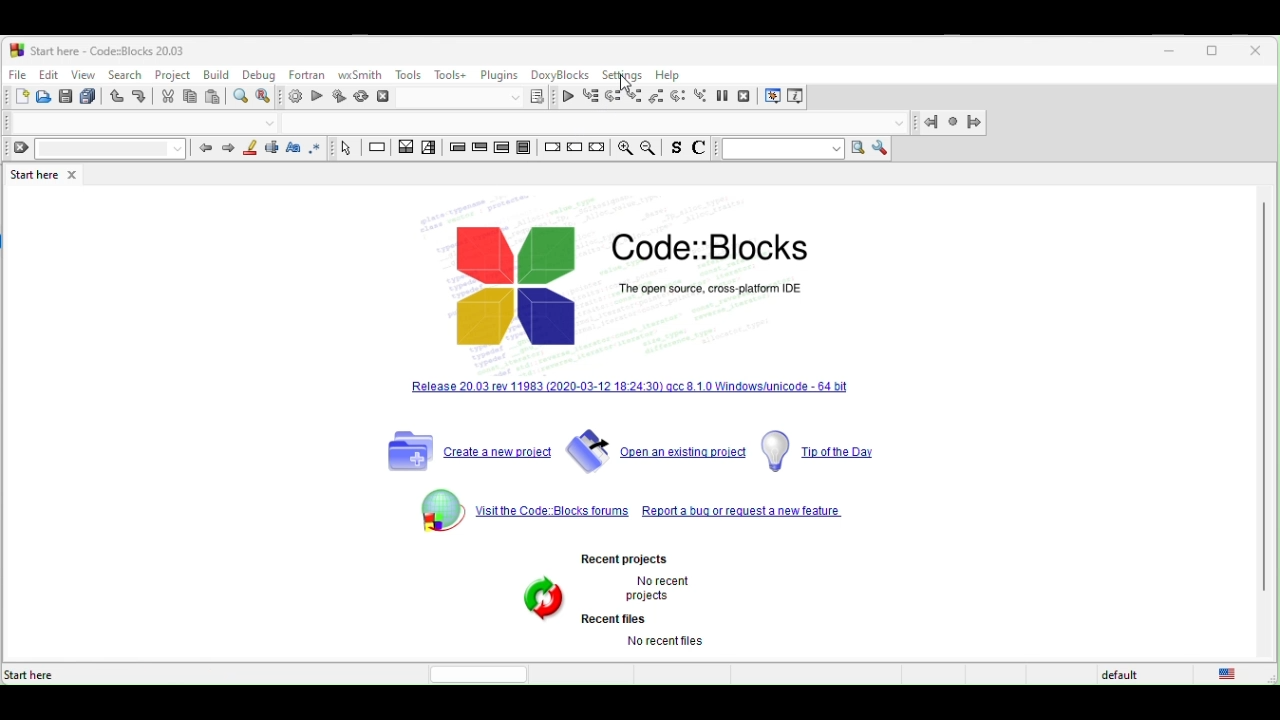 The height and width of the screenshot is (720, 1280). I want to click on toggle source, so click(676, 150).